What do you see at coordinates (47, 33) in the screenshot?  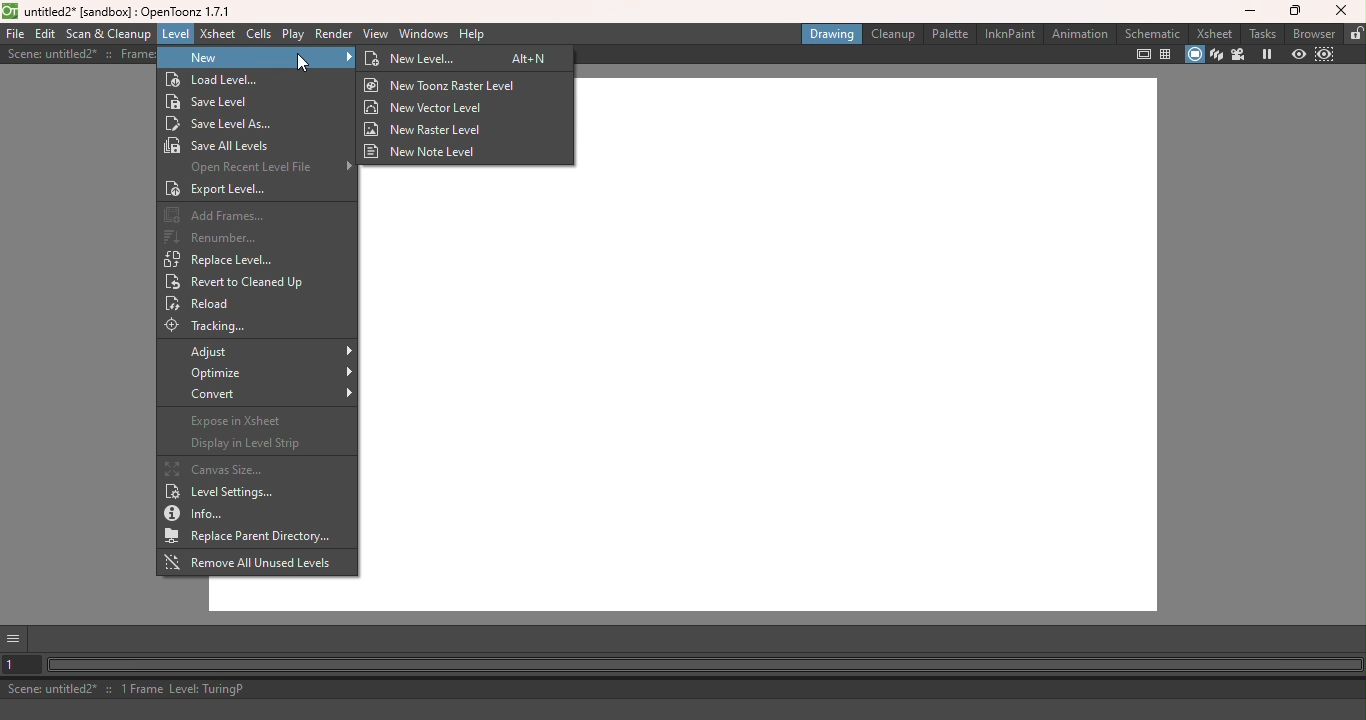 I see `Edit` at bounding box center [47, 33].